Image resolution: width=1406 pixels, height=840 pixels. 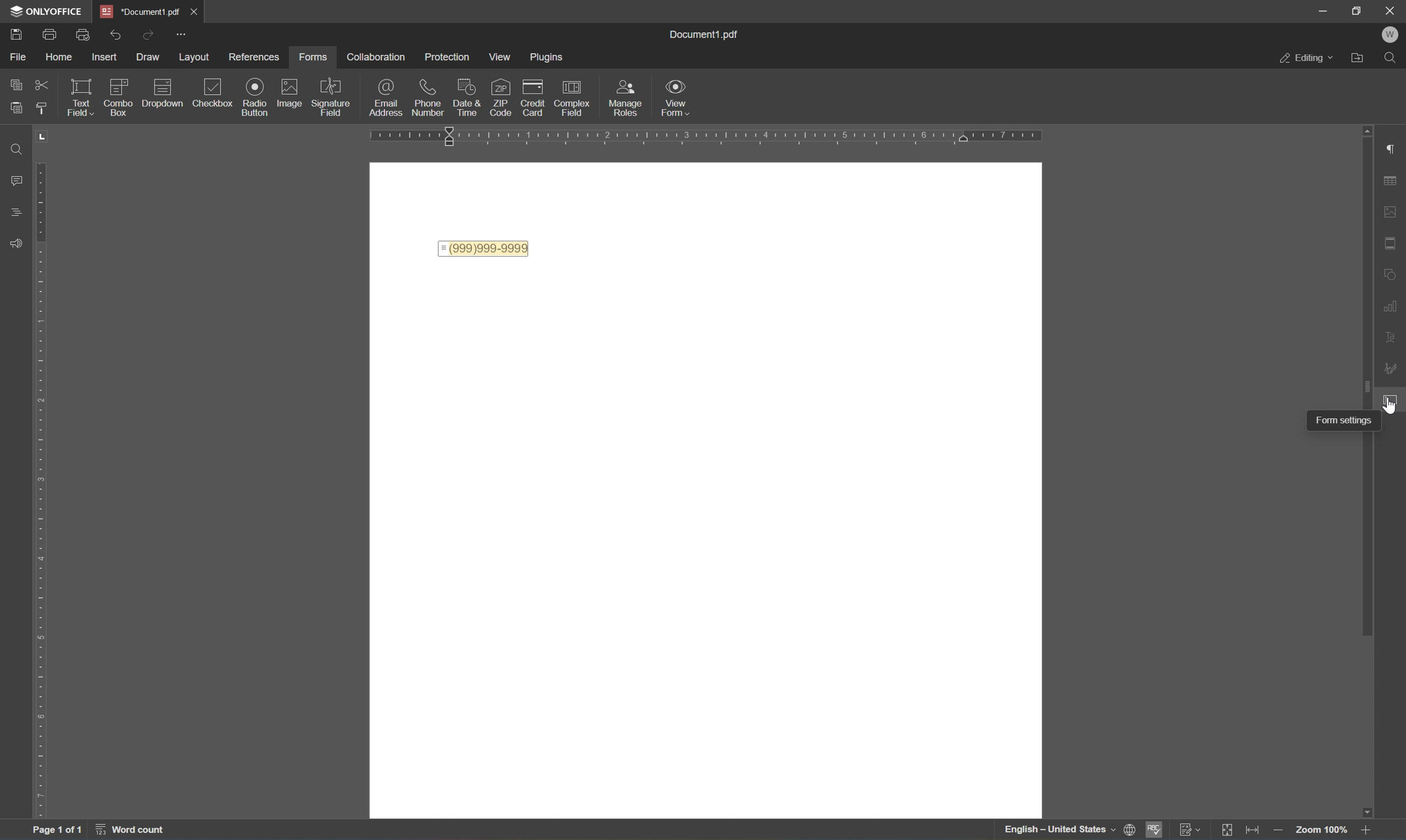 I want to click on fit to page, so click(x=1231, y=830).